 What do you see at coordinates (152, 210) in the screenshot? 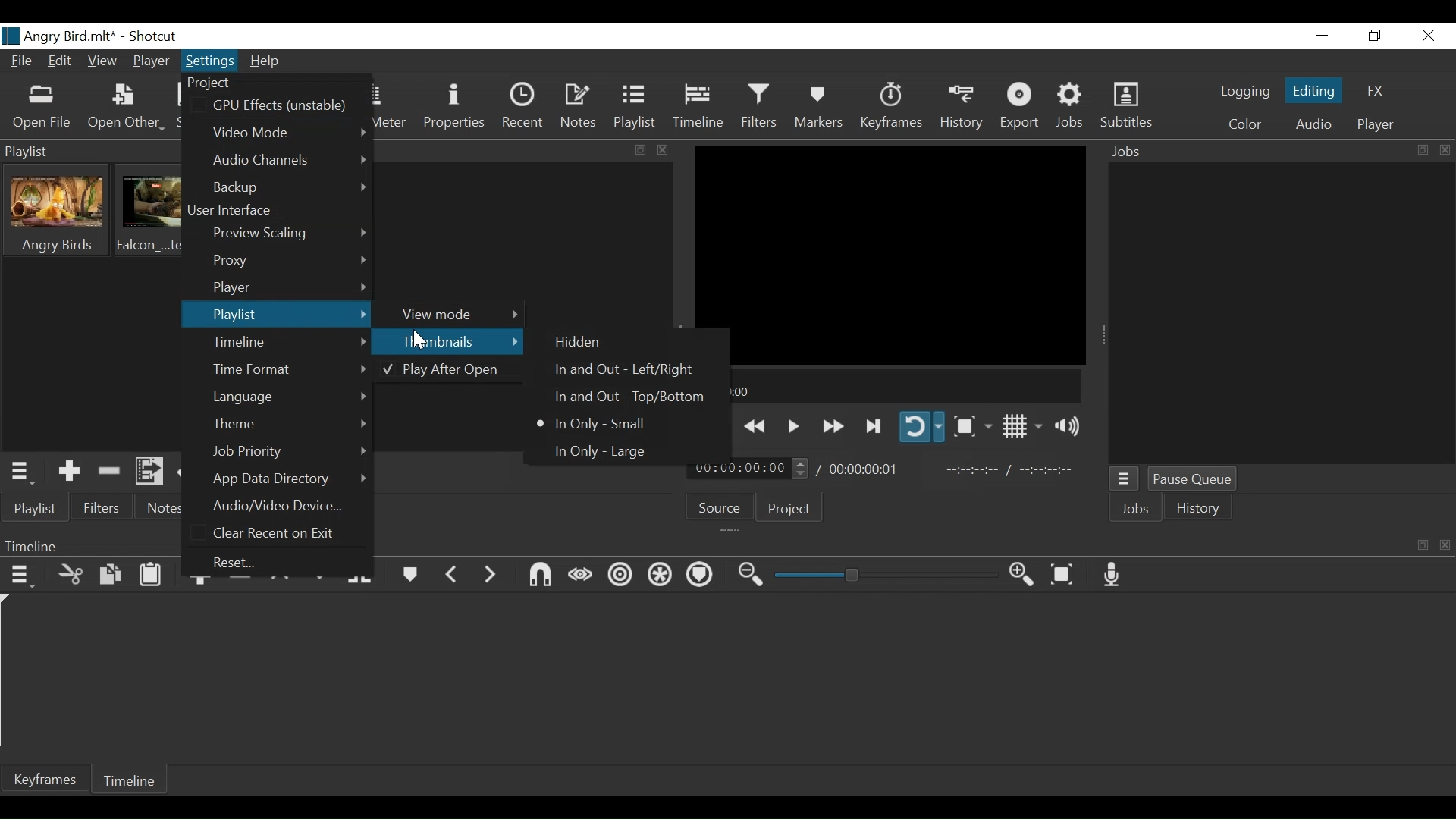
I see `Clip` at bounding box center [152, 210].